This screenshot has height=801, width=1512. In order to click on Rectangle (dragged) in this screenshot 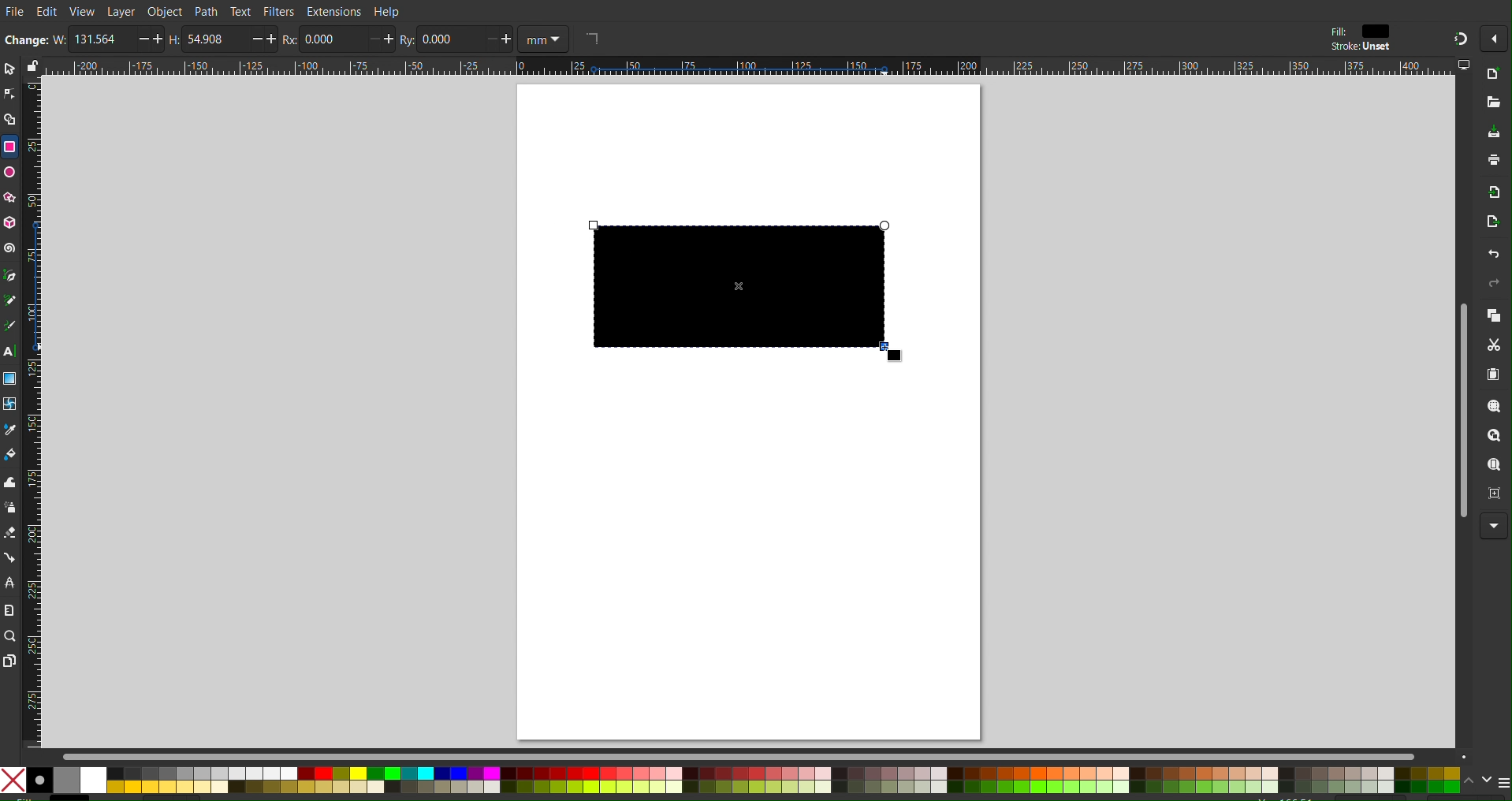, I will do `click(749, 291)`.